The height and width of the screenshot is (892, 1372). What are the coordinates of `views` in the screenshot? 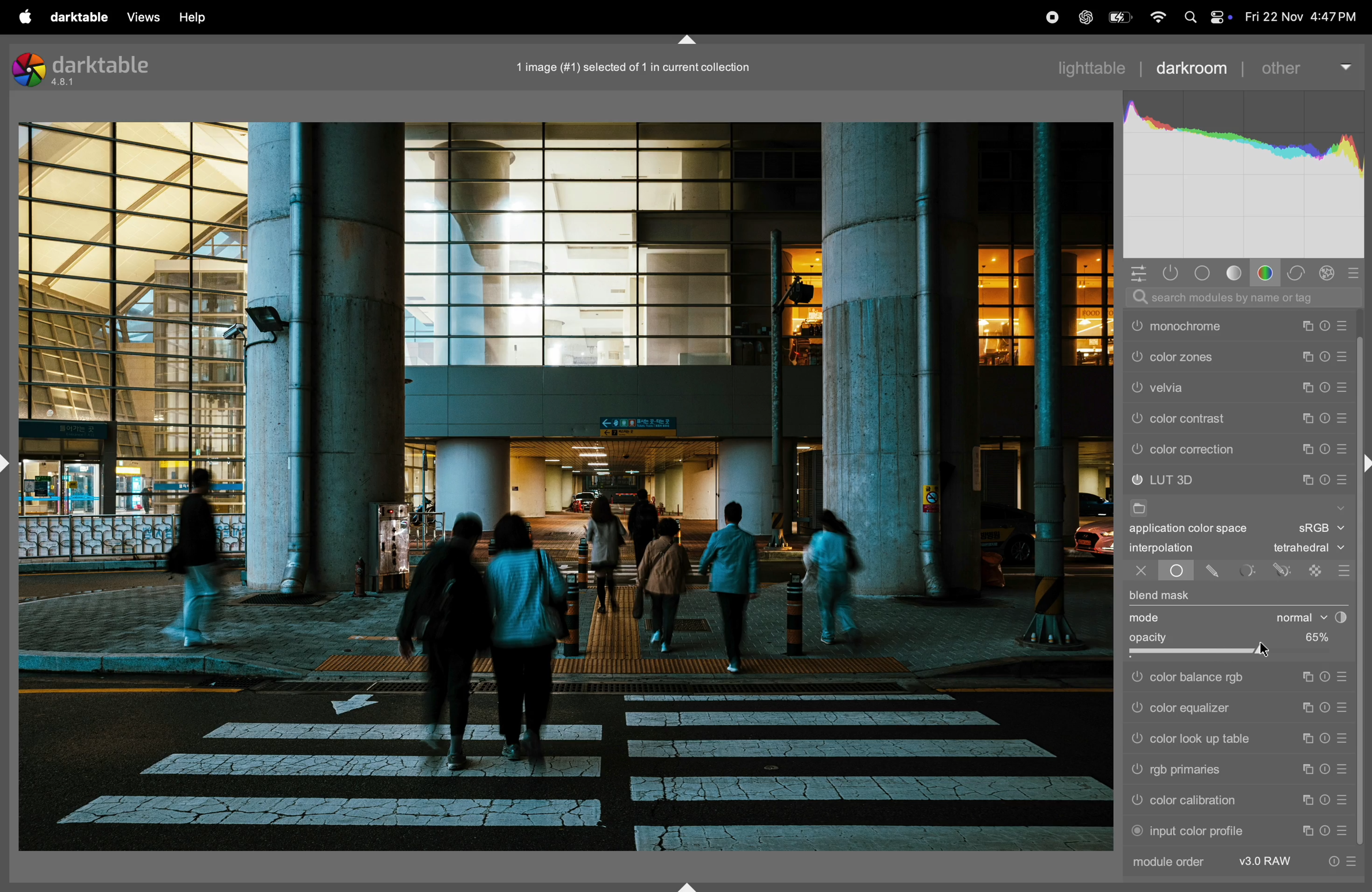 It's located at (144, 17).